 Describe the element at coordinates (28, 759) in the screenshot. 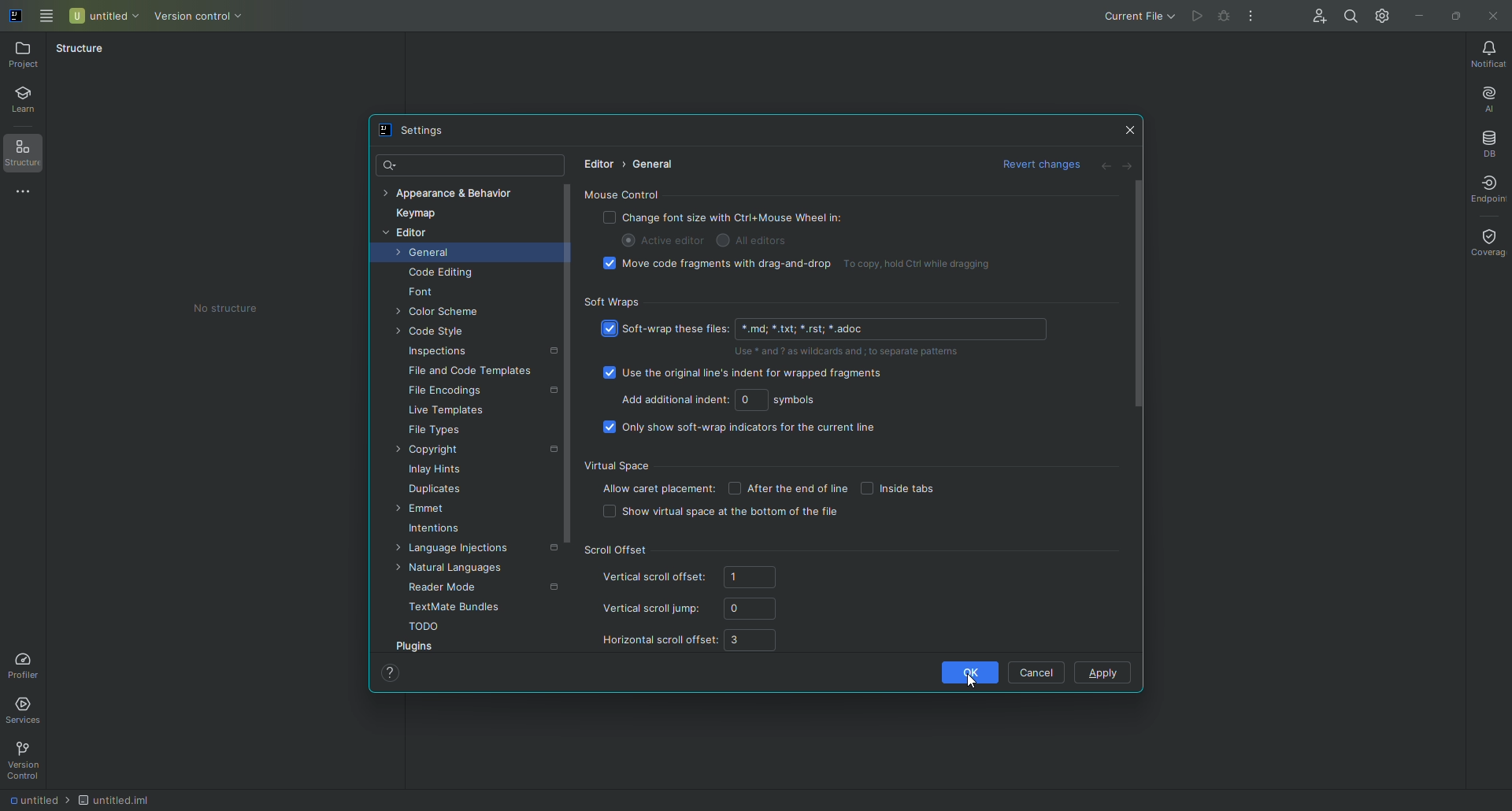

I see `Version Control` at that location.